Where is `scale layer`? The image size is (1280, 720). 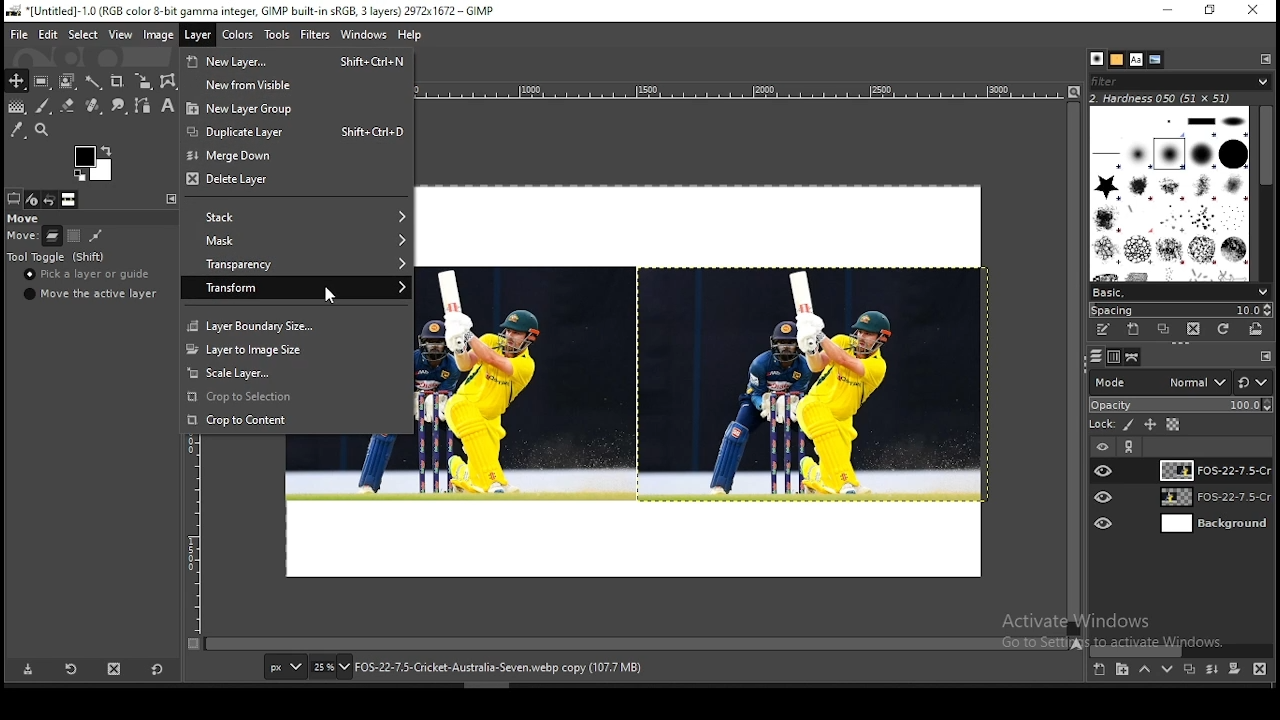
scale layer is located at coordinates (298, 373).